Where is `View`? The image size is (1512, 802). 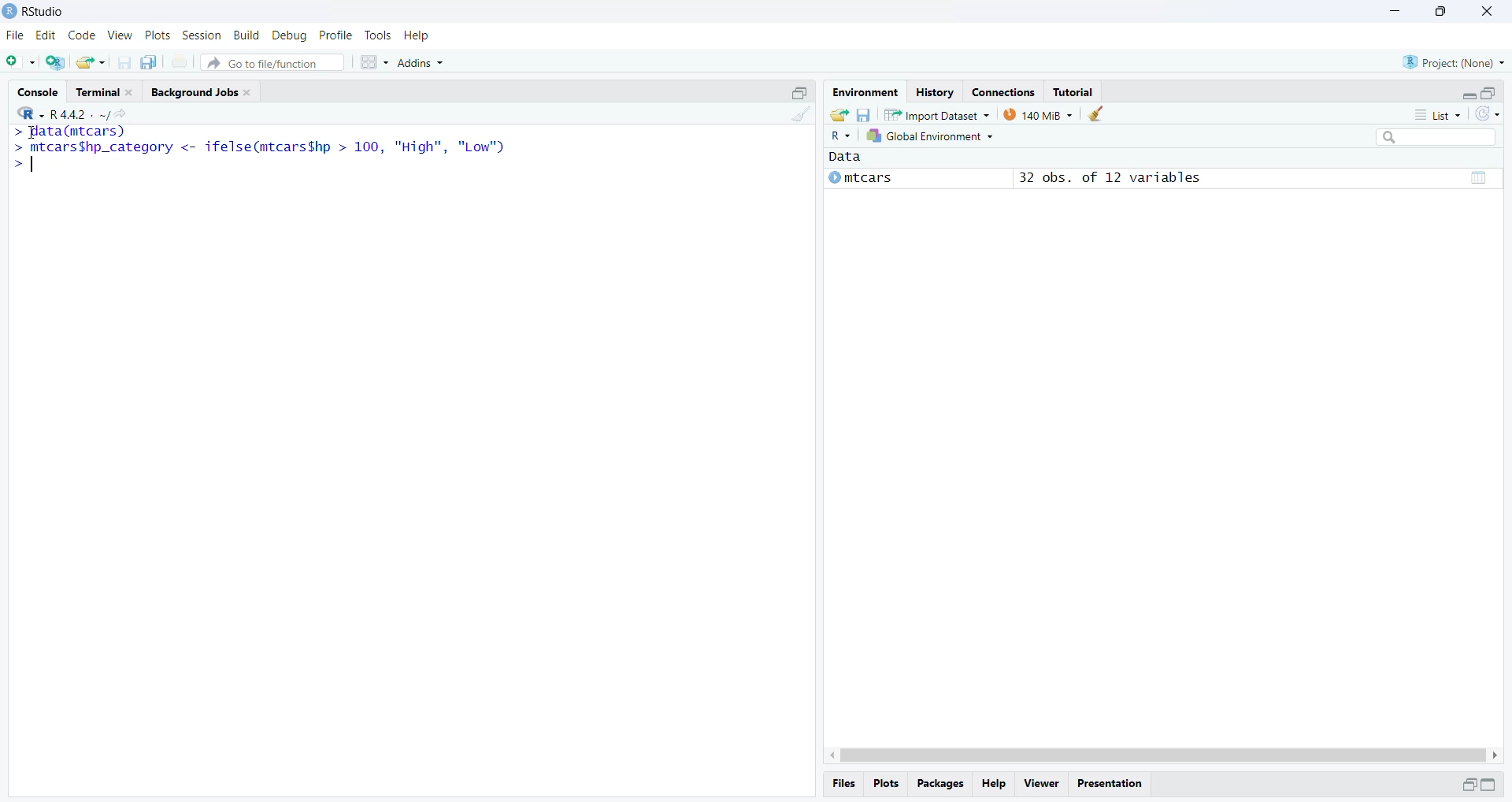
View is located at coordinates (119, 35).